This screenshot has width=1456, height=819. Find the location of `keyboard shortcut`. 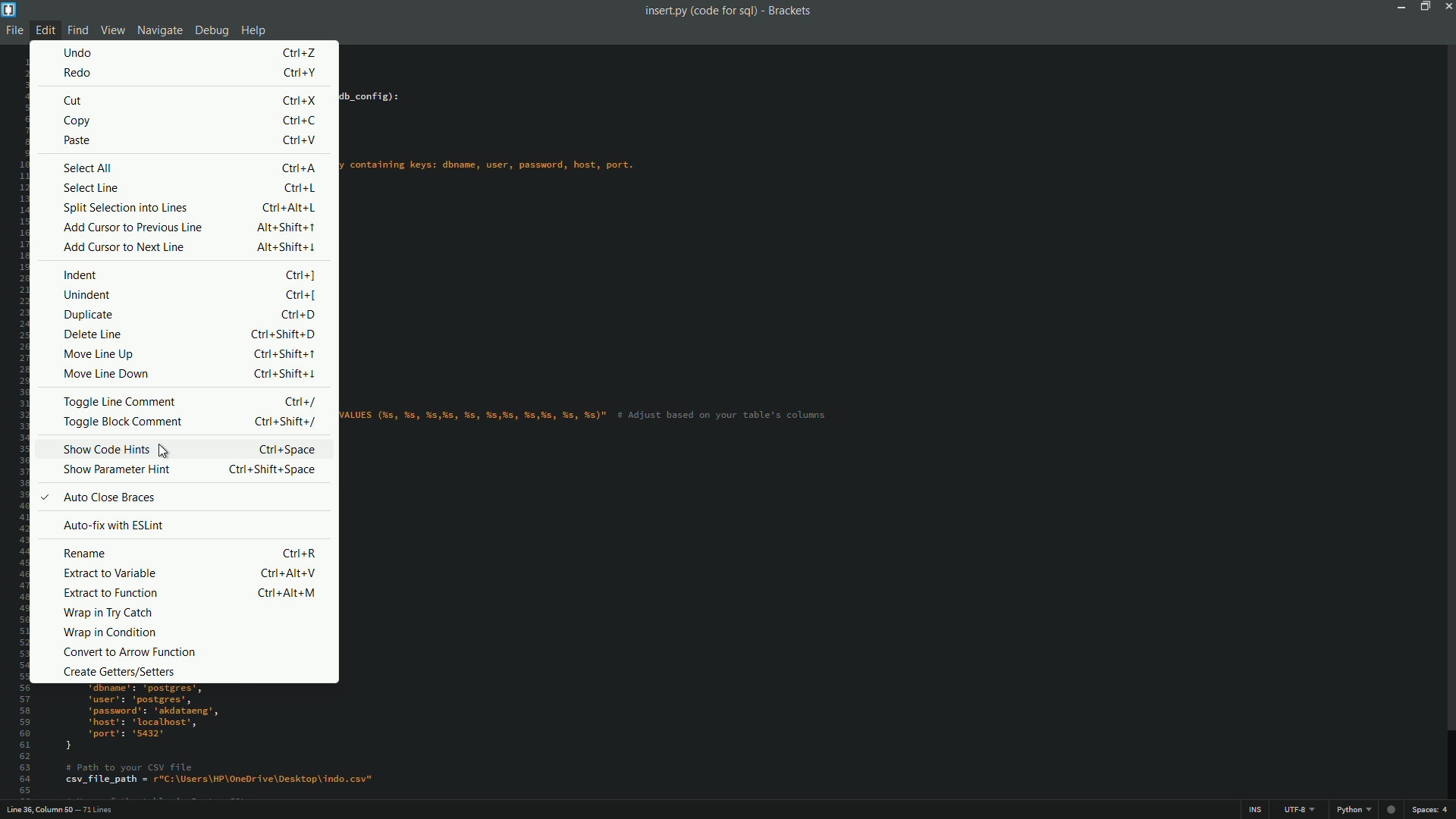

keyboard shortcut is located at coordinates (298, 189).